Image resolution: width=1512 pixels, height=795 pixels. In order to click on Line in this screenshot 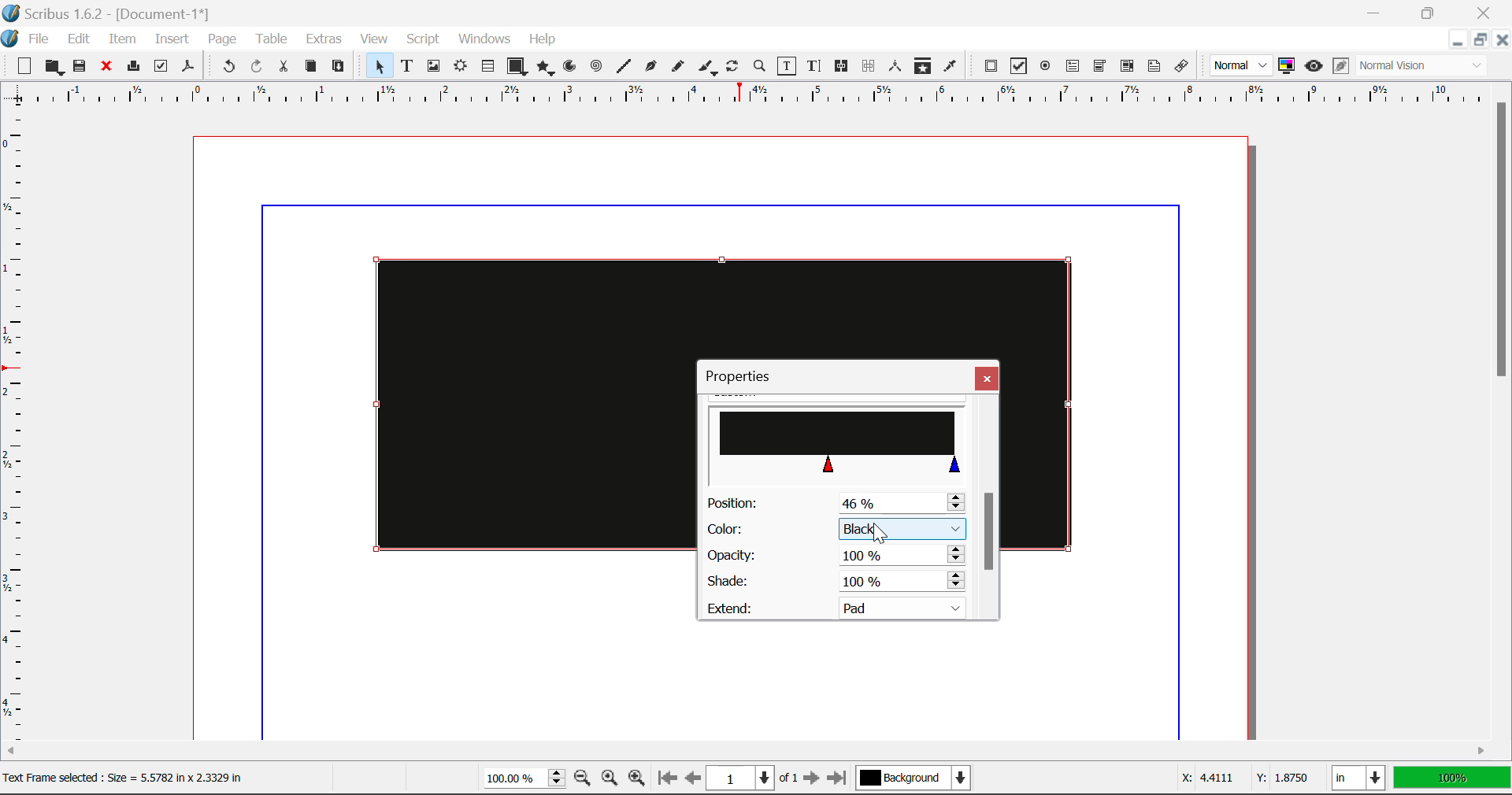, I will do `click(624, 67)`.